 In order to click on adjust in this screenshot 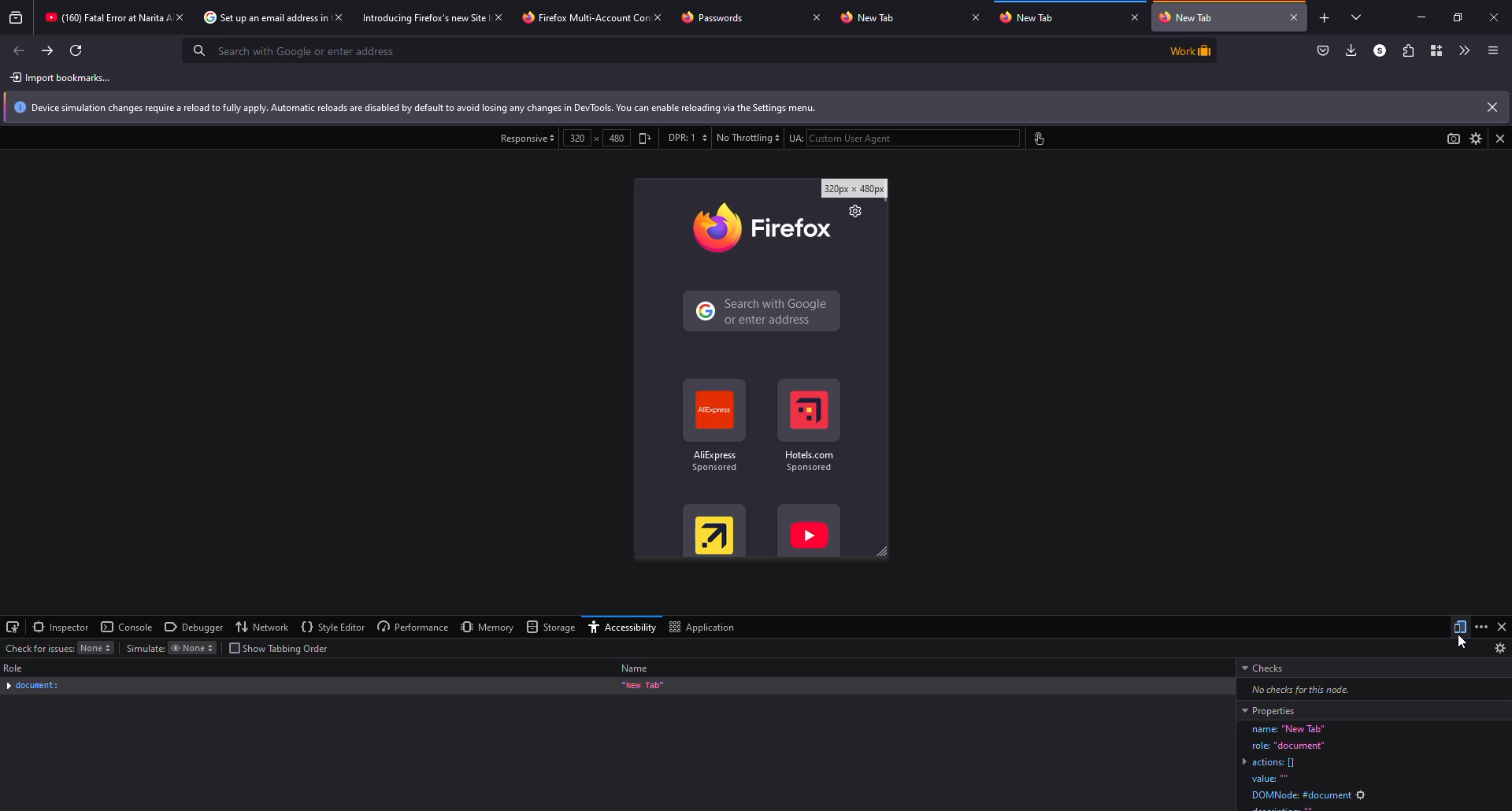, I will do `click(647, 139)`.